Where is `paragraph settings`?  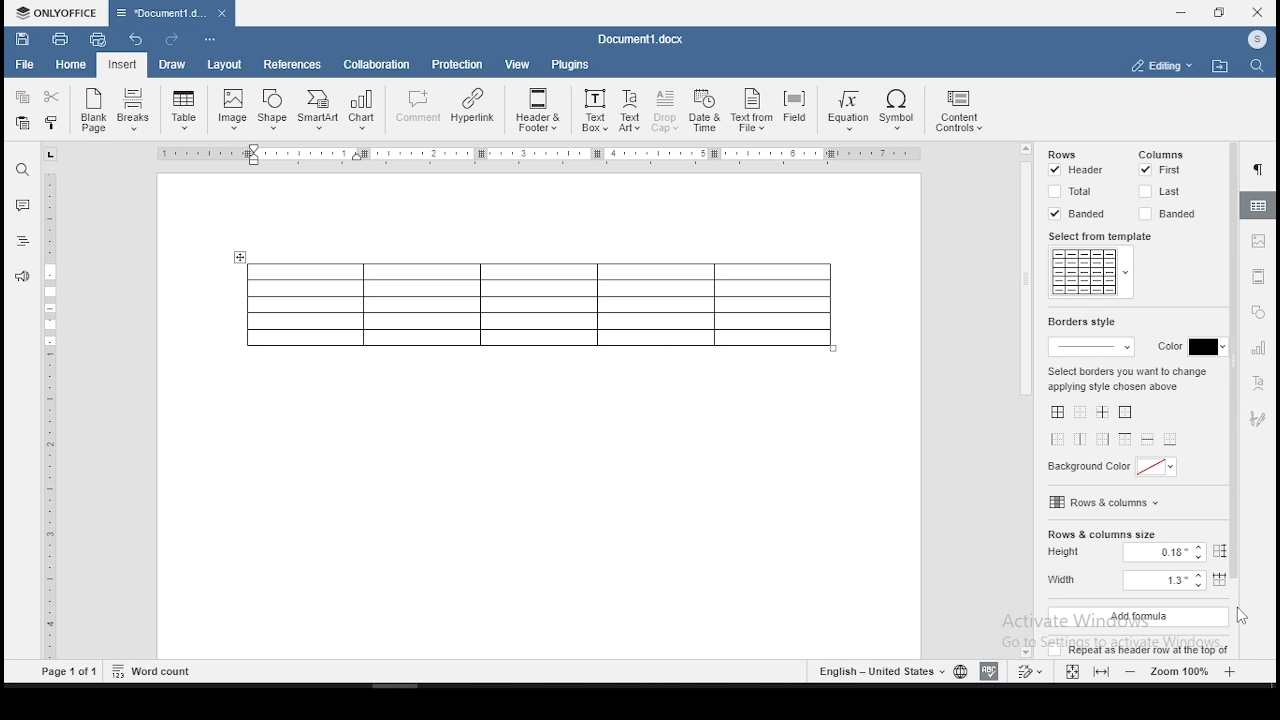 paragraph settings is located at coordinates (1261, 170).